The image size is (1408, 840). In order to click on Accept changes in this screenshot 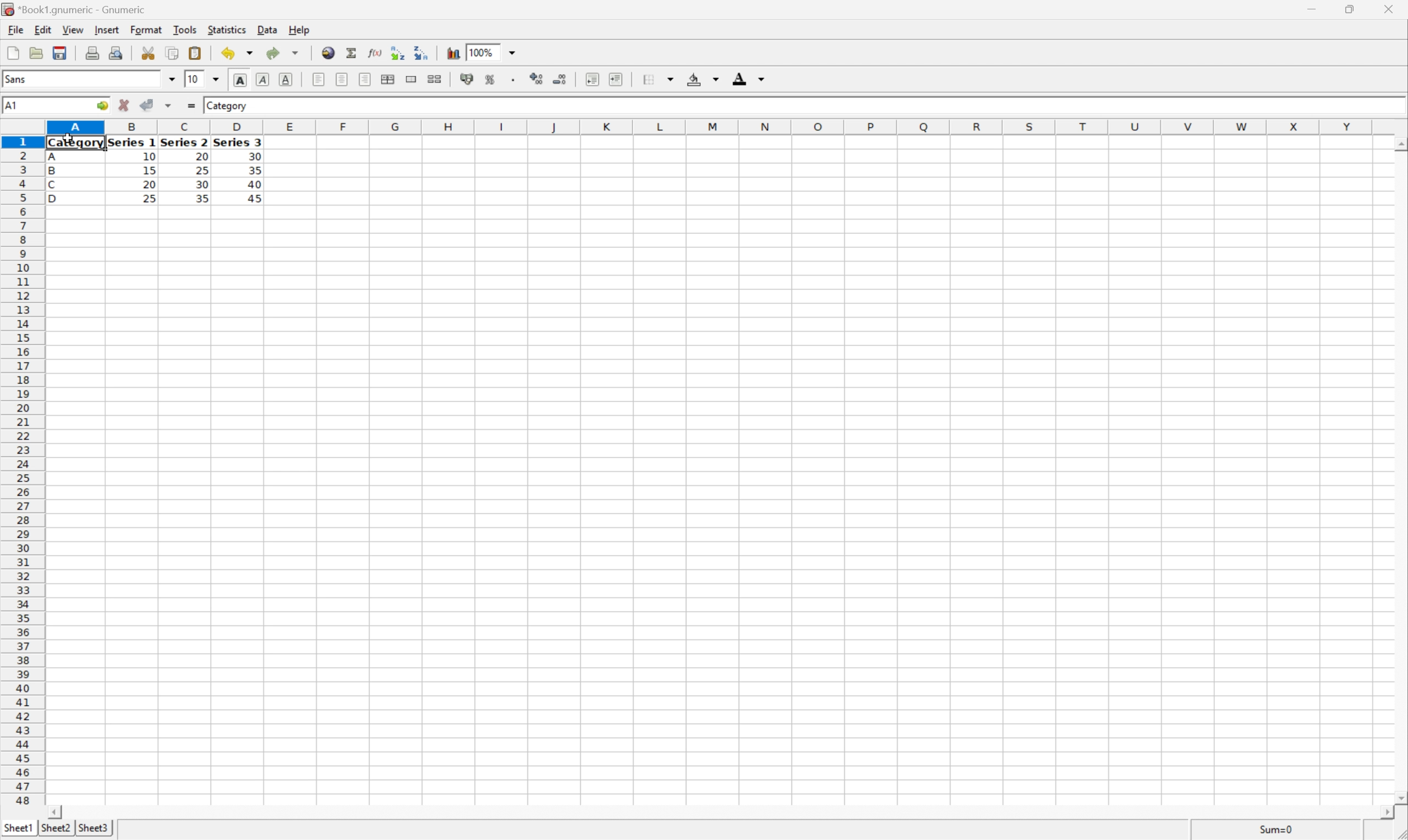, I will do `click(145, 104)`.